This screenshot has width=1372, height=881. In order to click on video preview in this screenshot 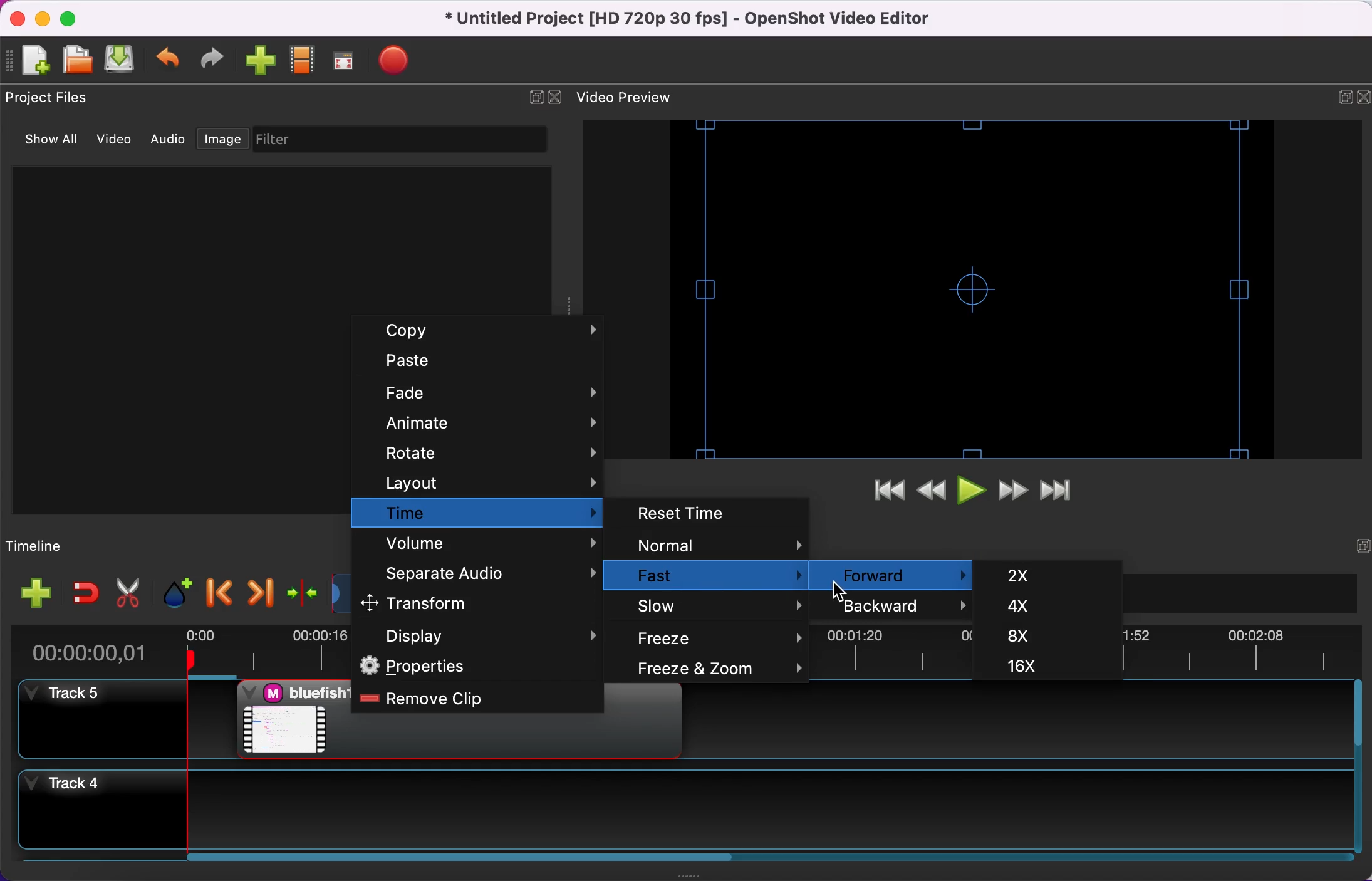, I will do `click(635, 96)`.